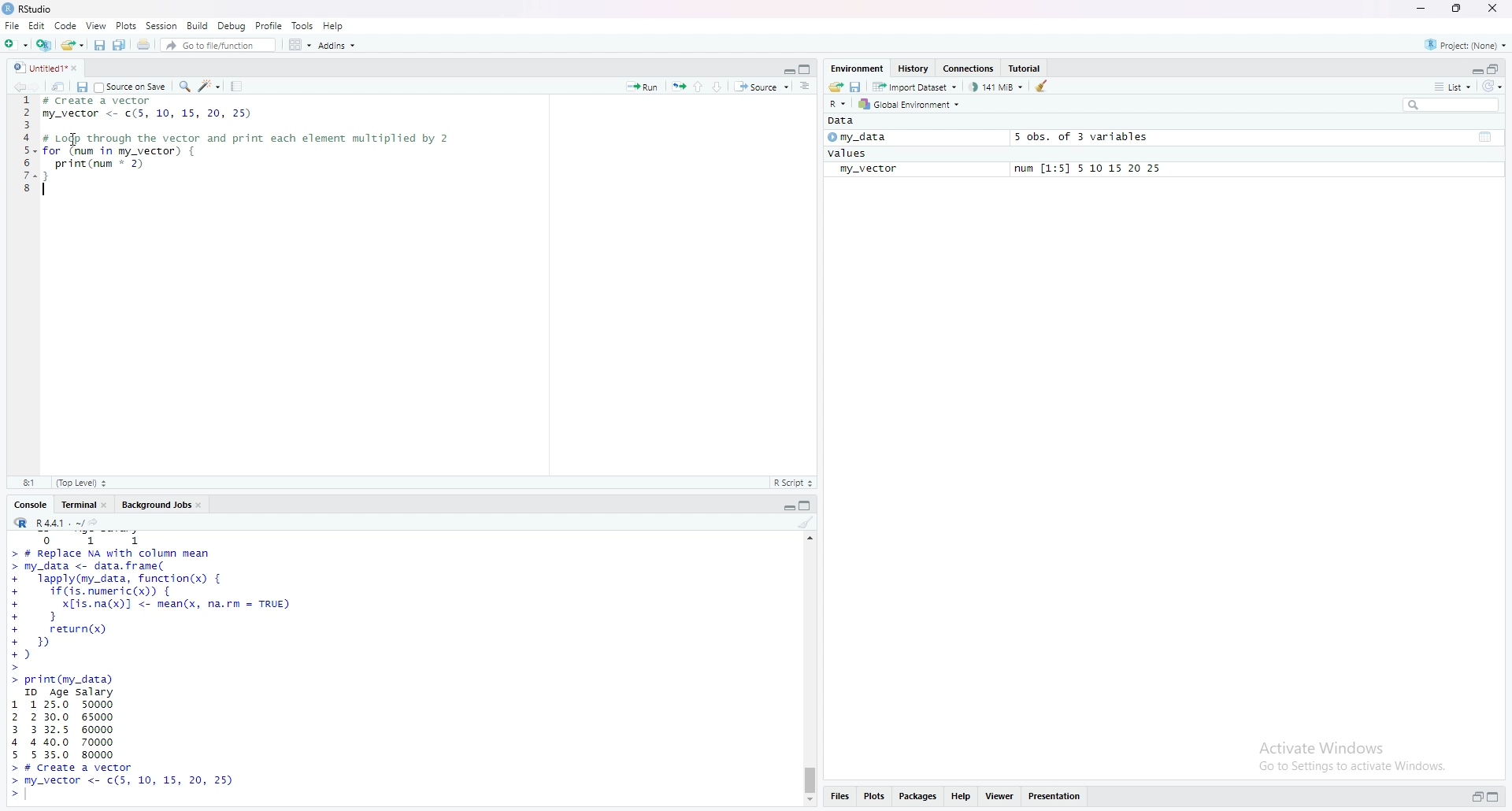 The image size is (1512, 811). I want to click on workspace pane, so click(296, 45).